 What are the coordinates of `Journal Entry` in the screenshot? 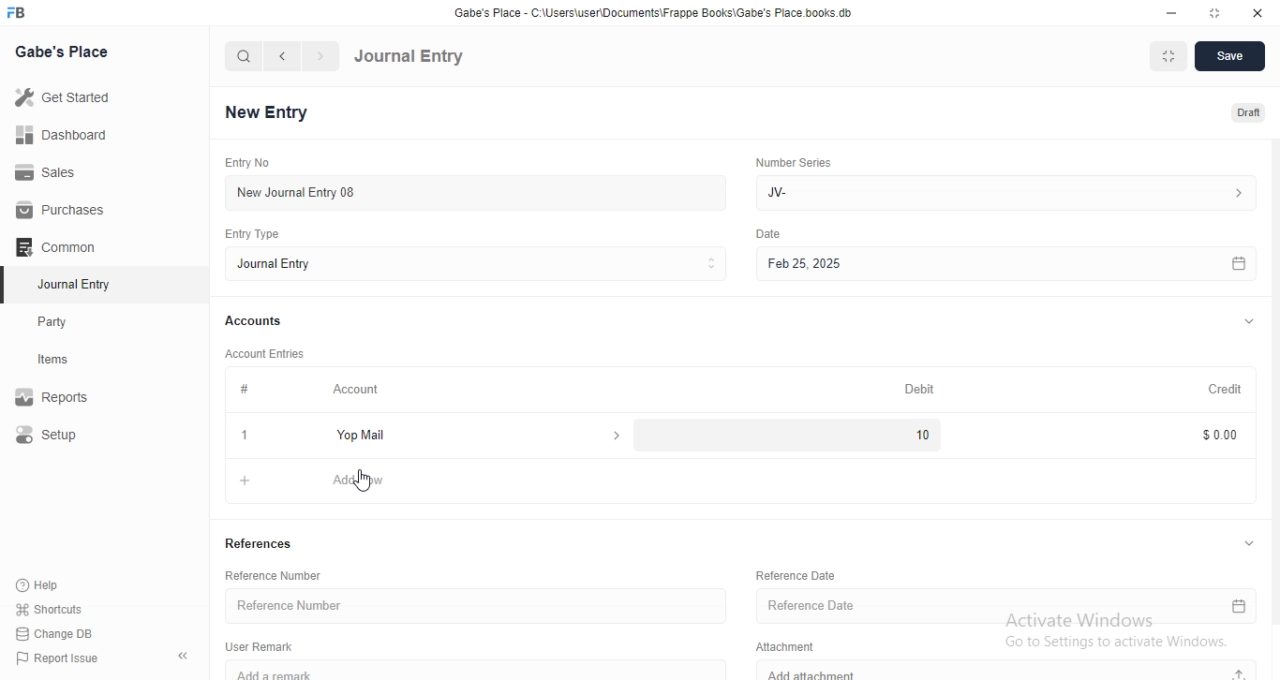 It's located at (474, 265).